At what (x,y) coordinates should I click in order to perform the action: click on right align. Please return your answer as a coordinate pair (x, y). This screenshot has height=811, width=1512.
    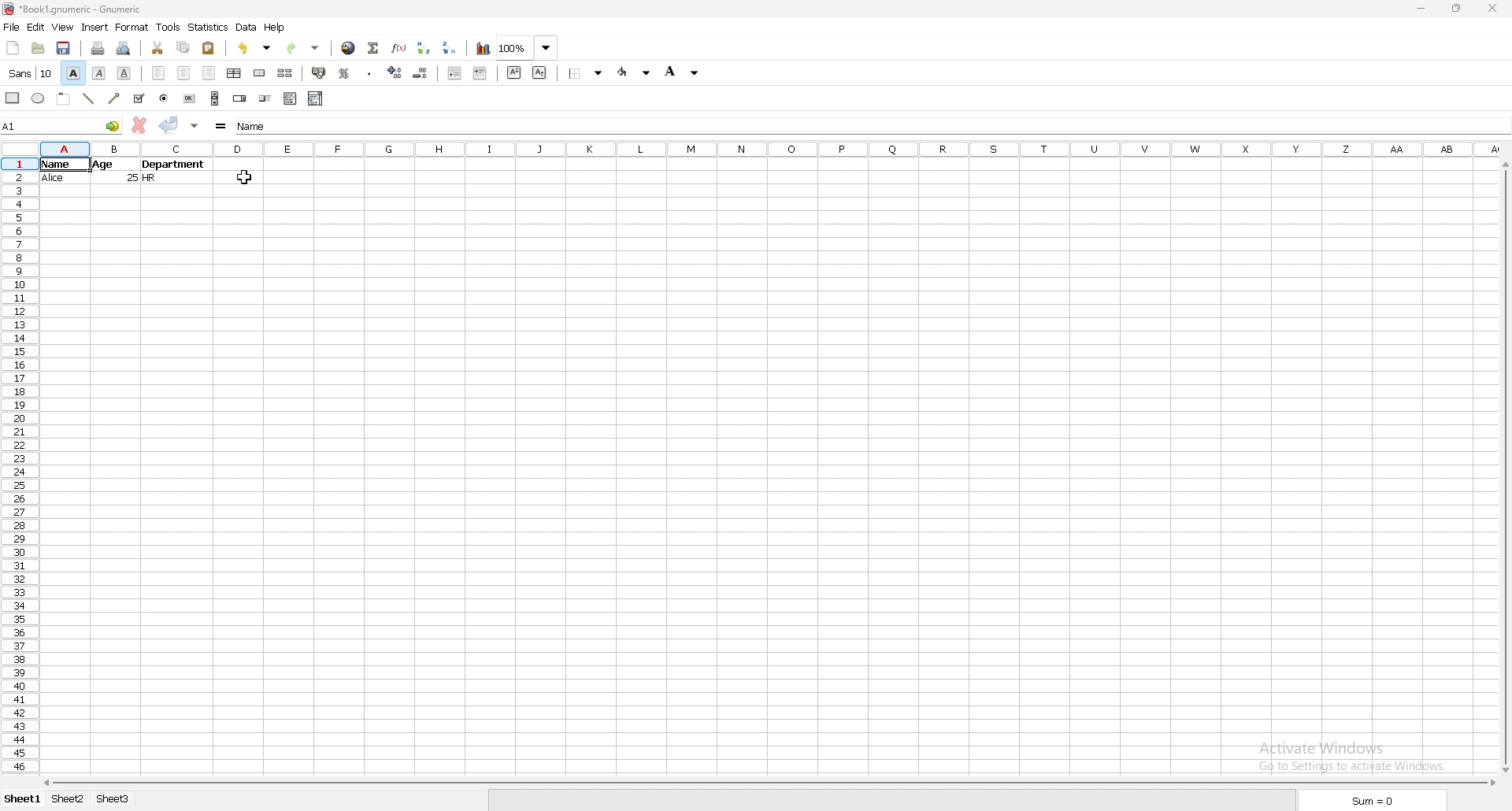
    Looking at the image, I should click on (209, 72).